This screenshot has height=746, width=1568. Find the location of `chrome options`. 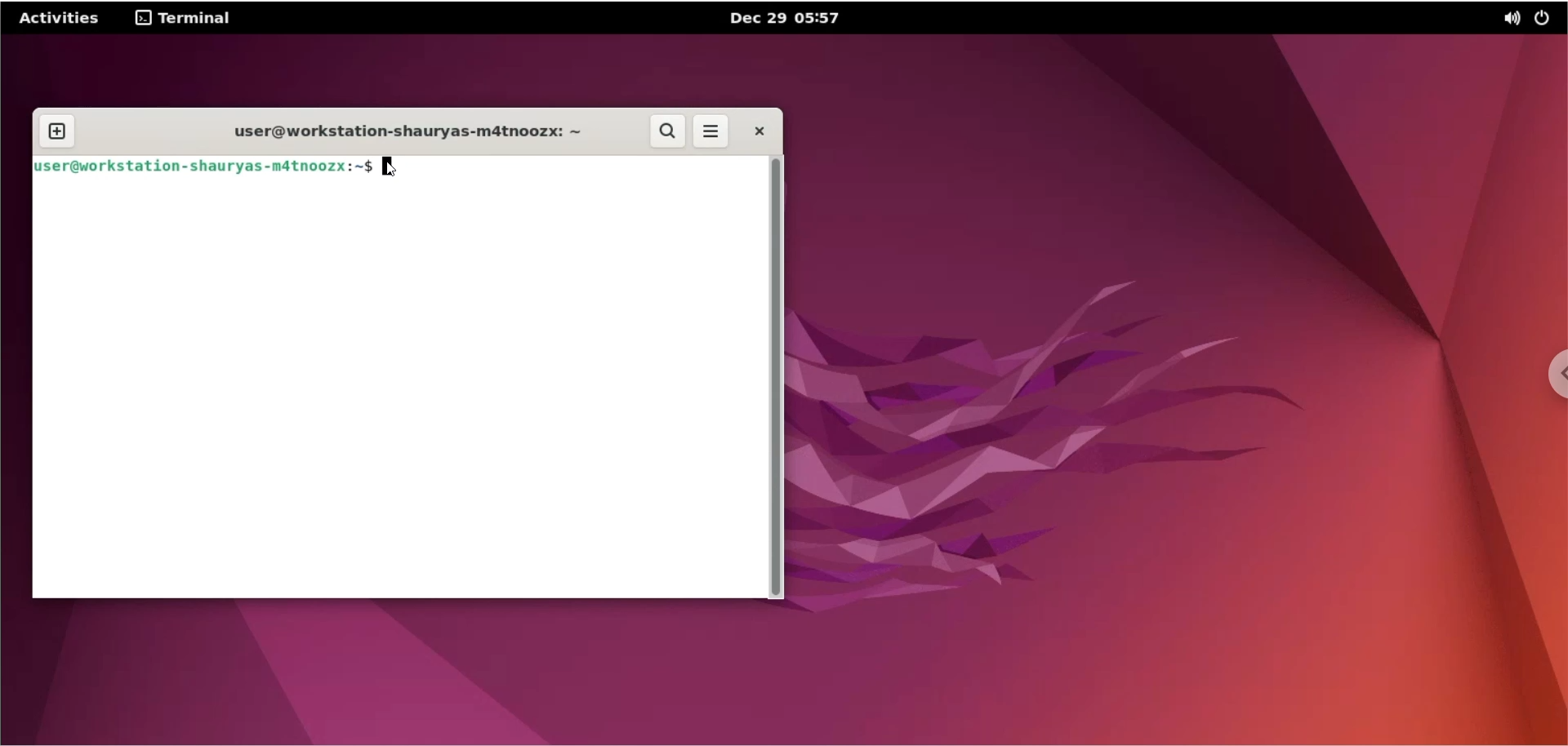

chrome options is located at coordinates (1552, 373).